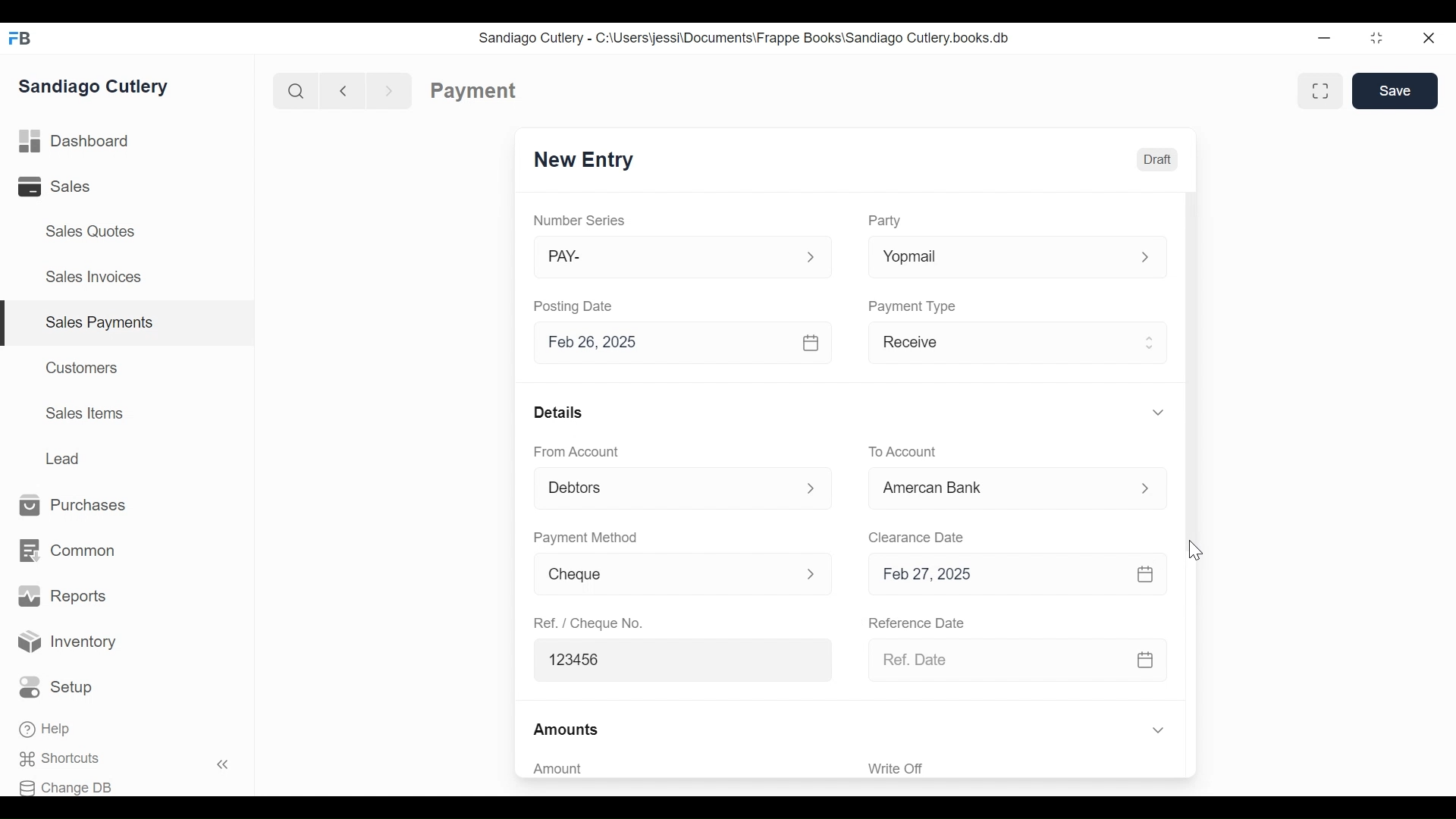  What do you see at coordinates (74, 506) in the screenshot?
I see `Purchases` at bounding box center [74, 506].